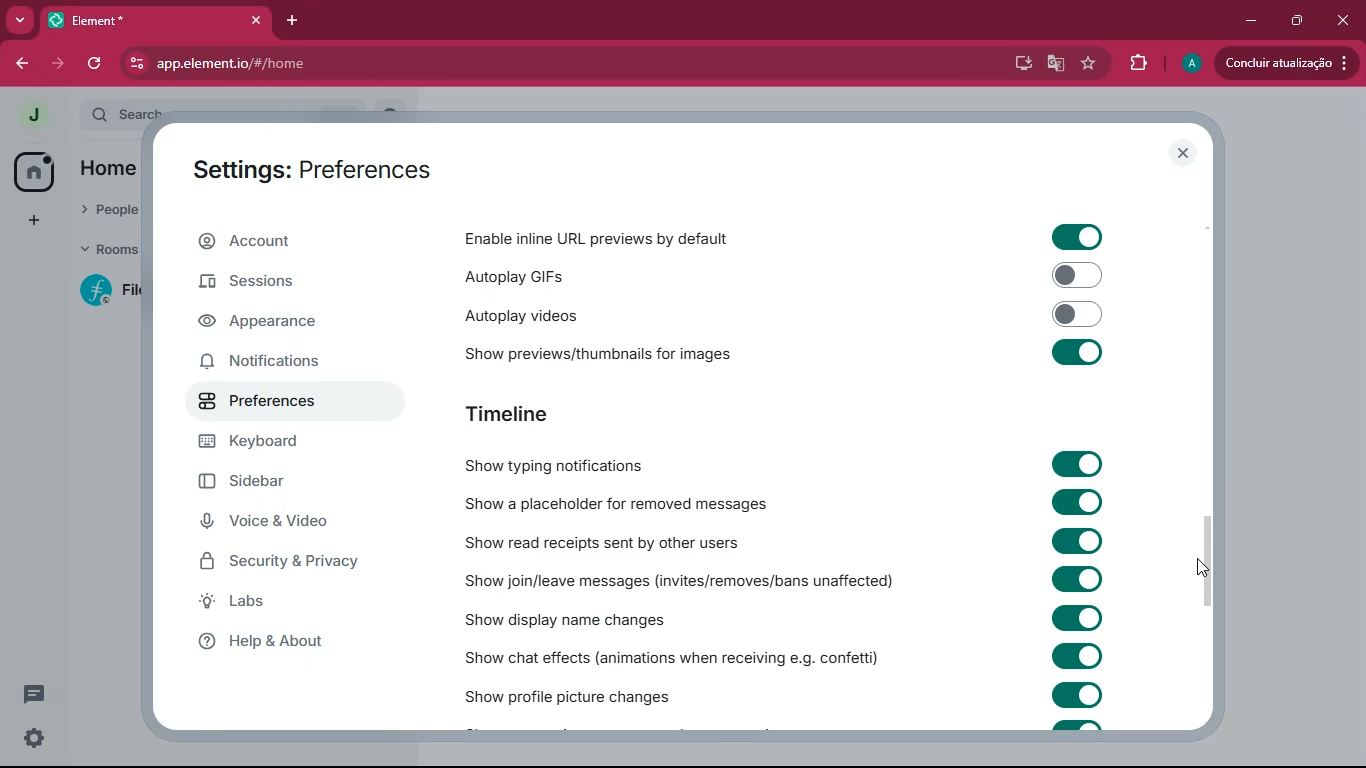 This screenshot has height=768, width=1366. I want to click on enable inline URL previews by default, so click(601, 238).